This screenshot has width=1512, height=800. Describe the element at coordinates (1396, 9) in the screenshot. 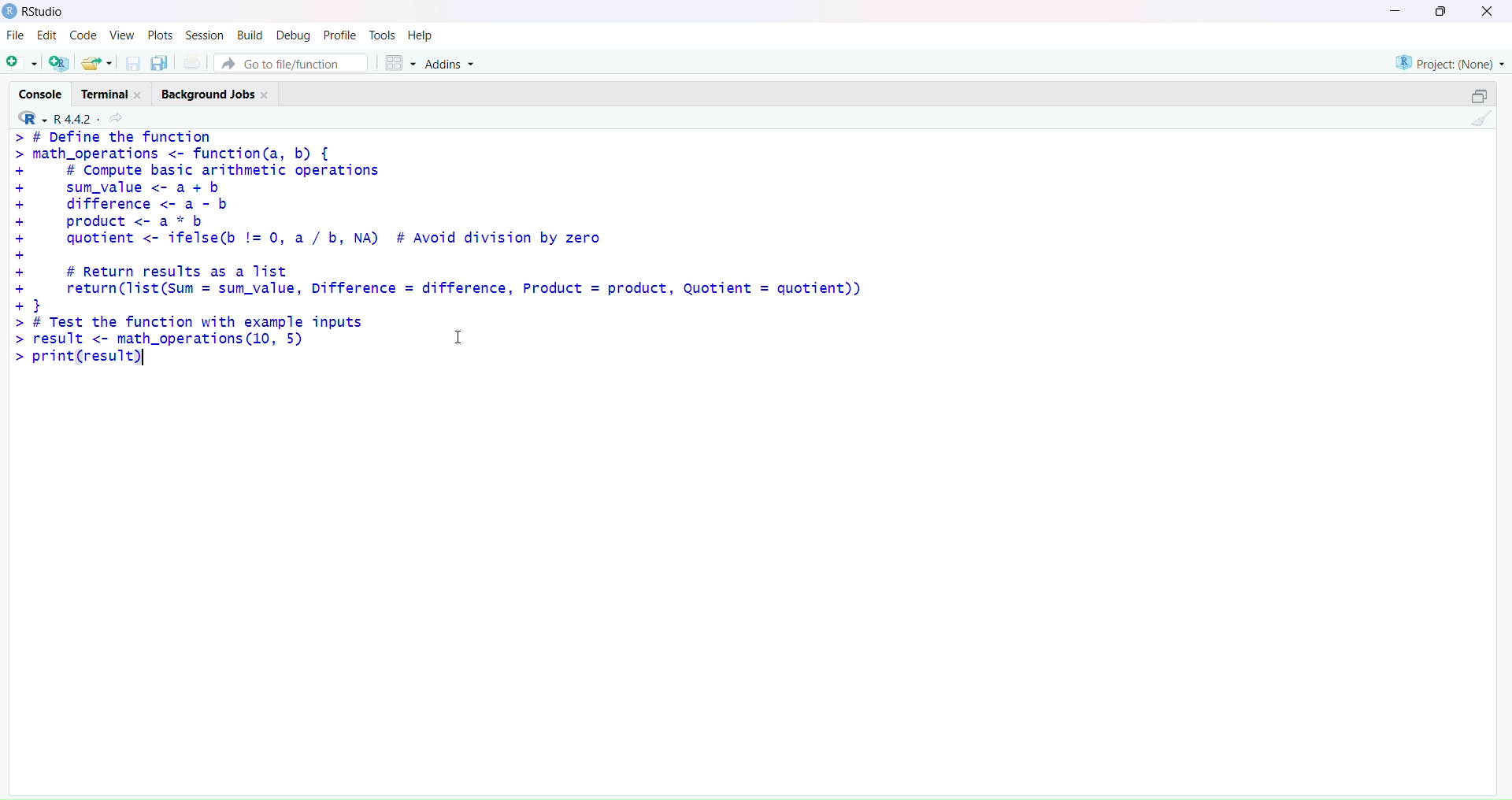

I see `Minimize` at that location.